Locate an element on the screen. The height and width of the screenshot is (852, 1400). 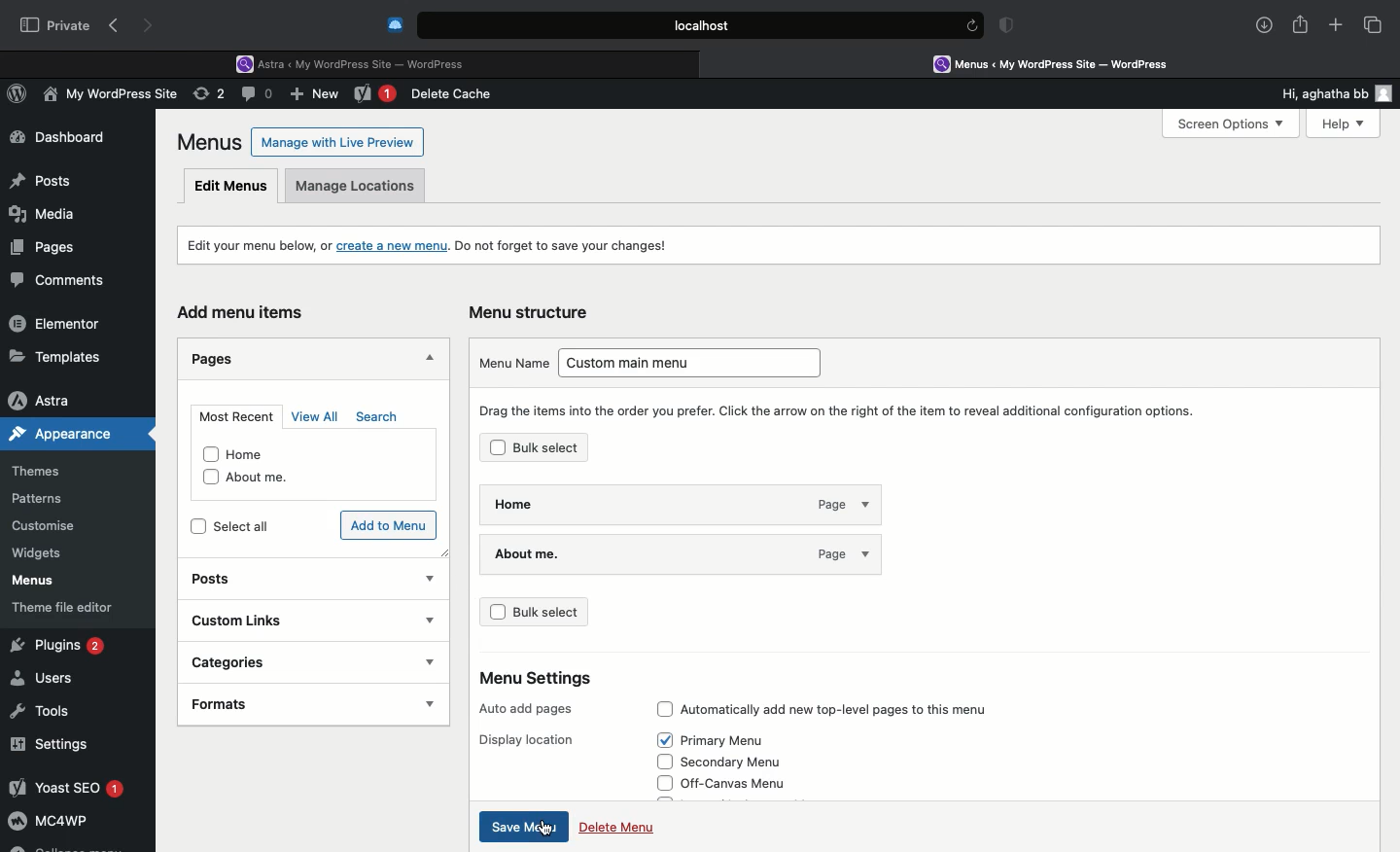
Edit your menu, or is located at coordinates (257, 245).